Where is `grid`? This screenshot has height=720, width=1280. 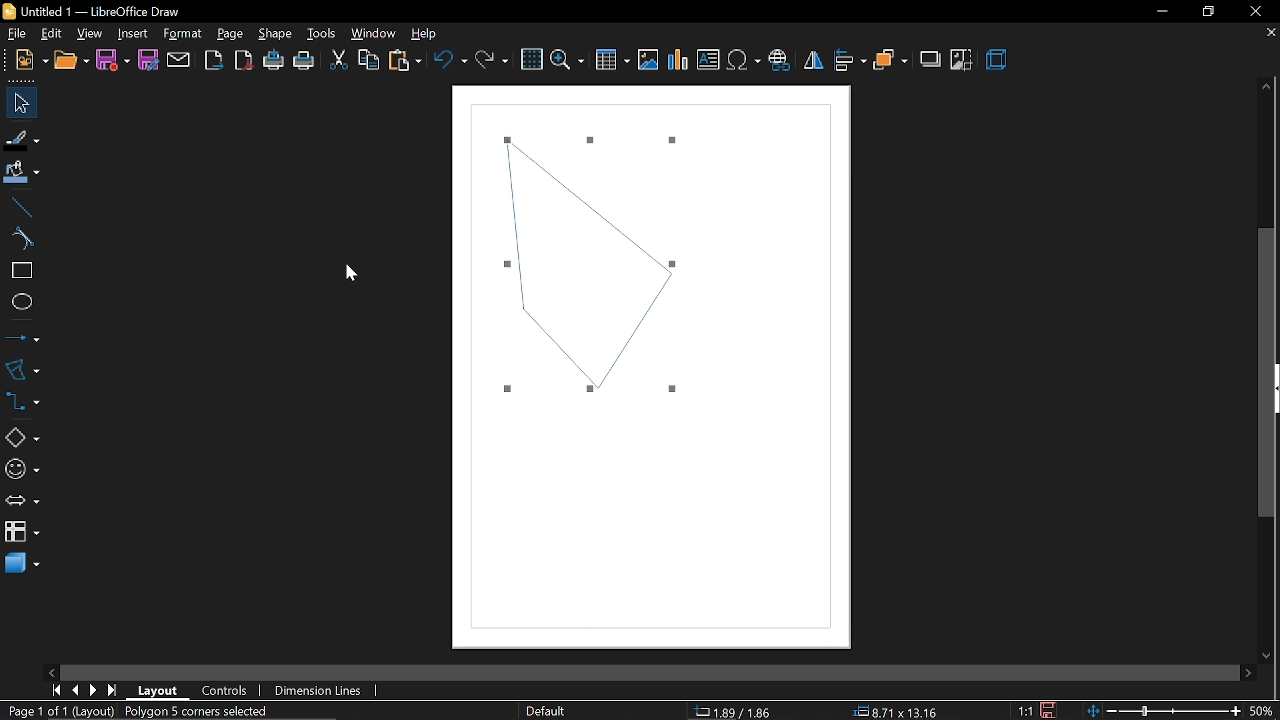 grid is located at coordinates (532, 60).